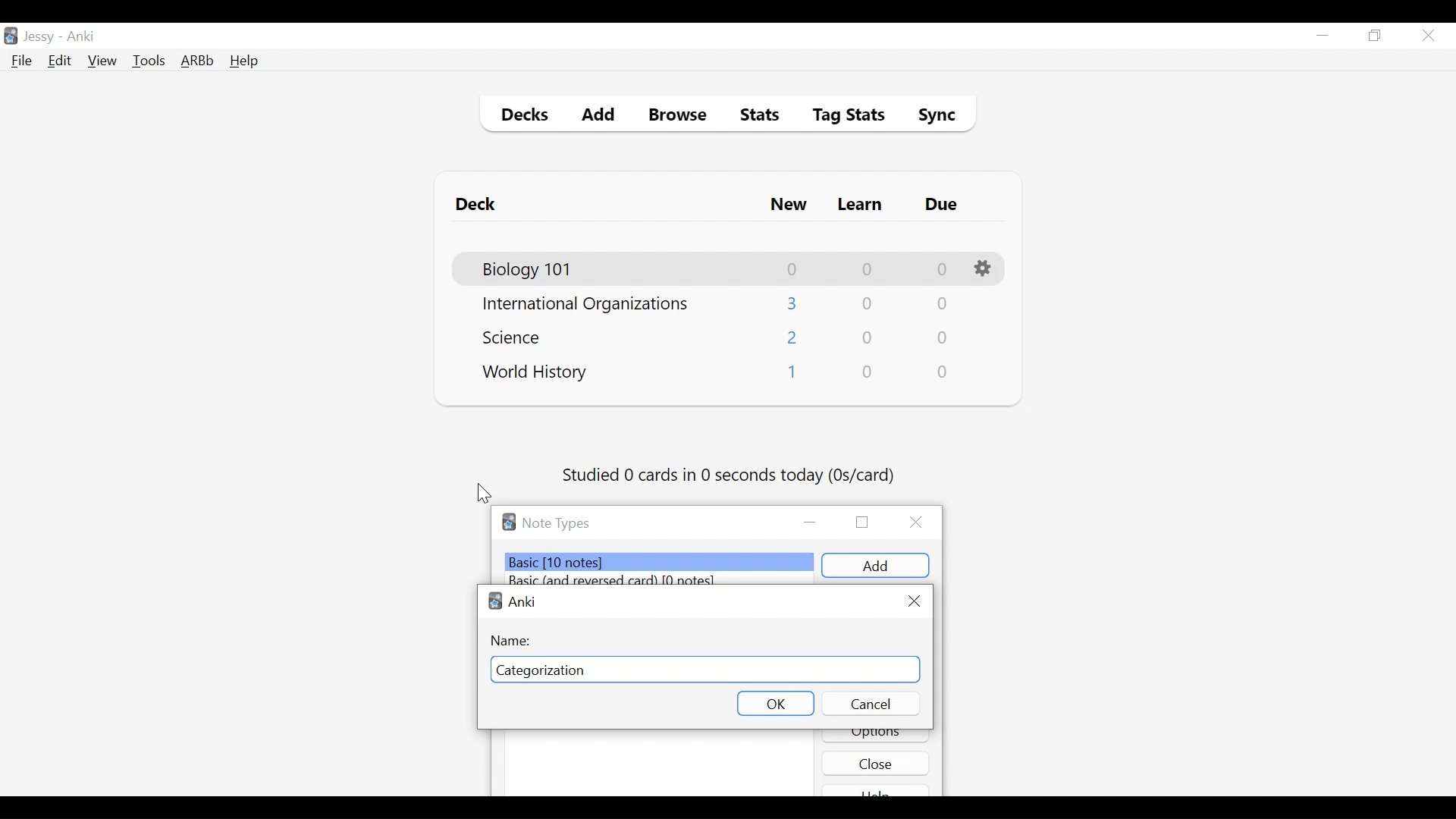  I want to click on Learn Card Count, so click(866, 304).